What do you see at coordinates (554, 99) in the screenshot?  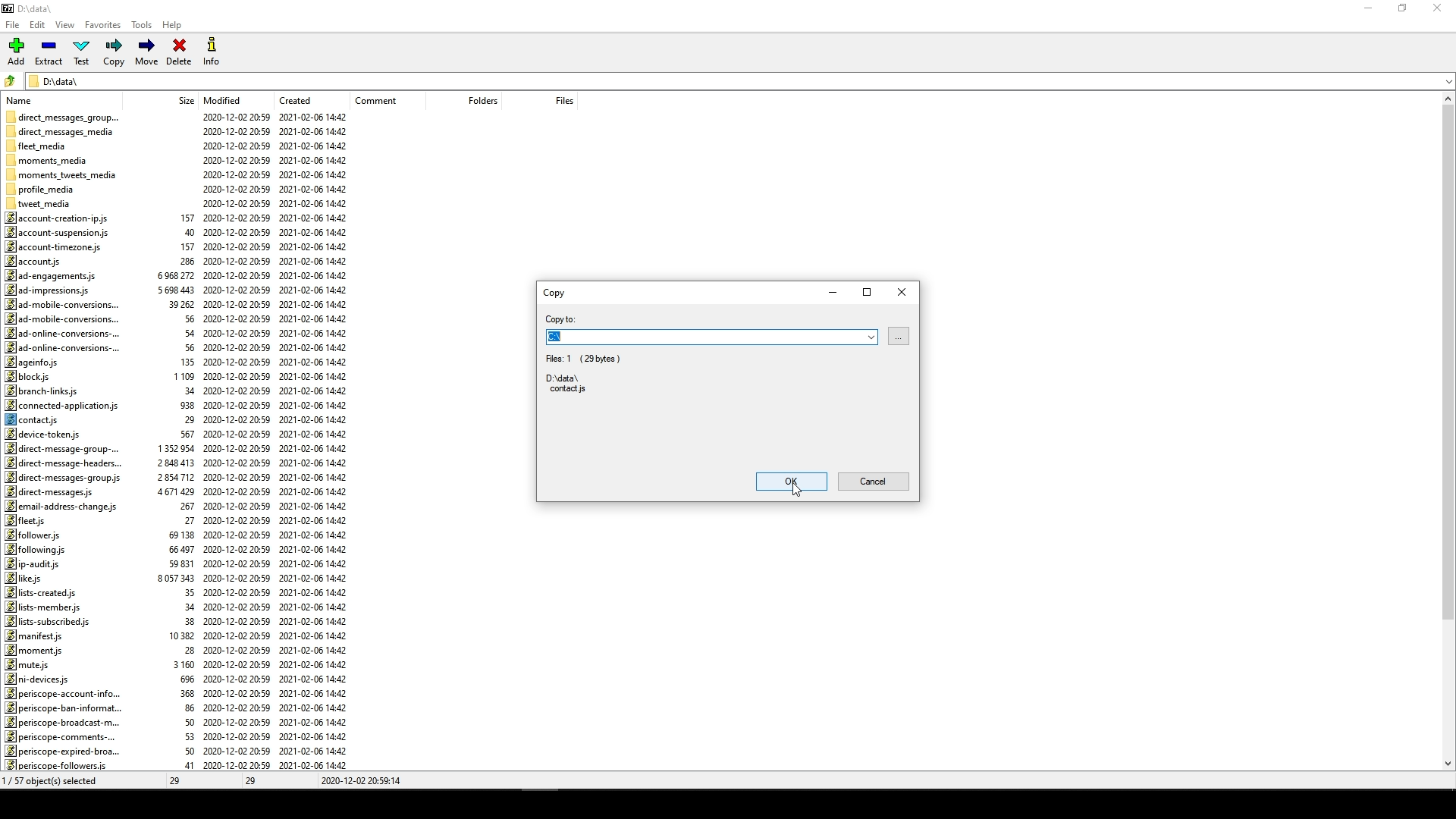 I see `files` at bounding box center [554, 99].